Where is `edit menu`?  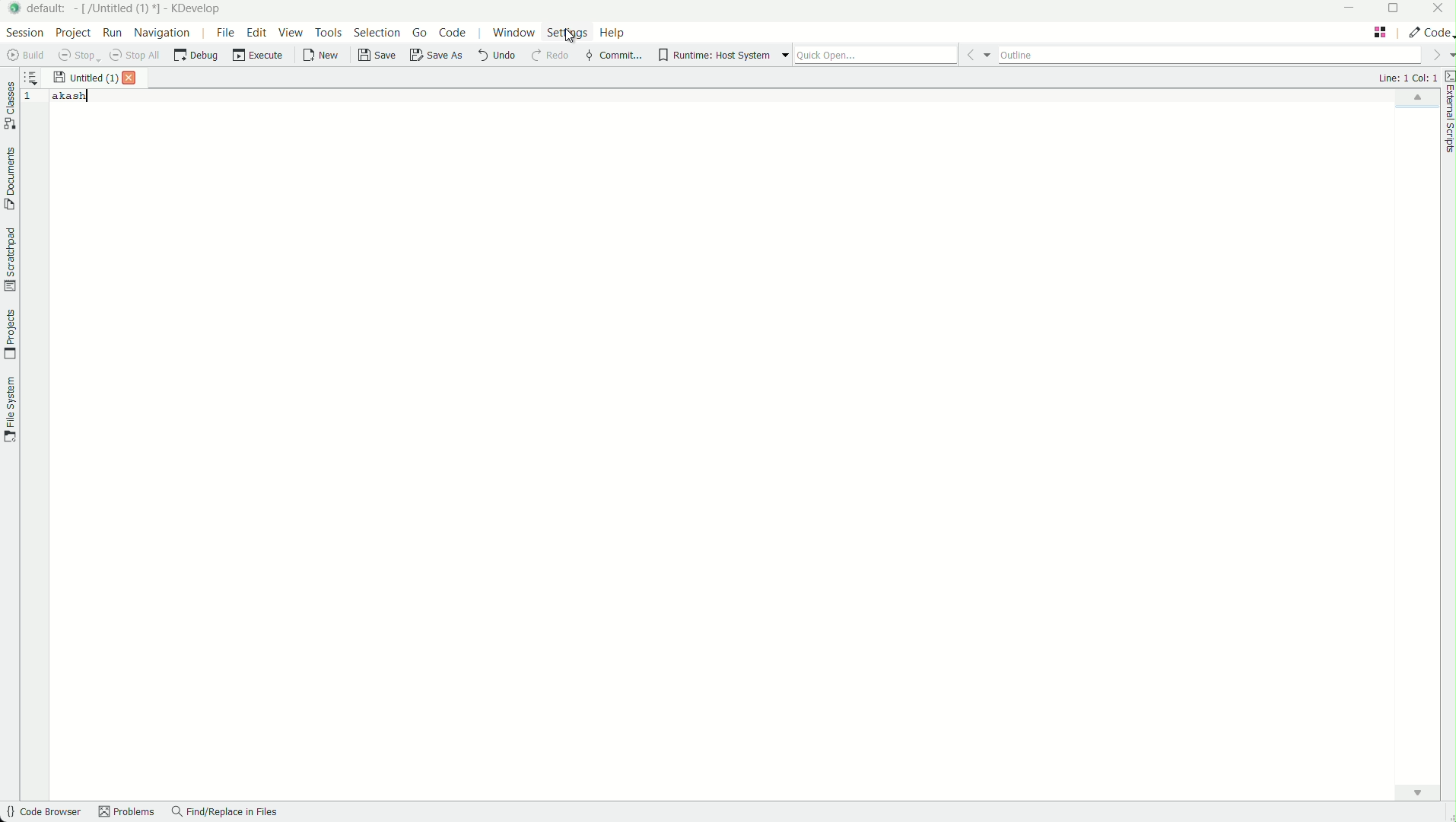 edit menu is located at coordinates (257, 32).